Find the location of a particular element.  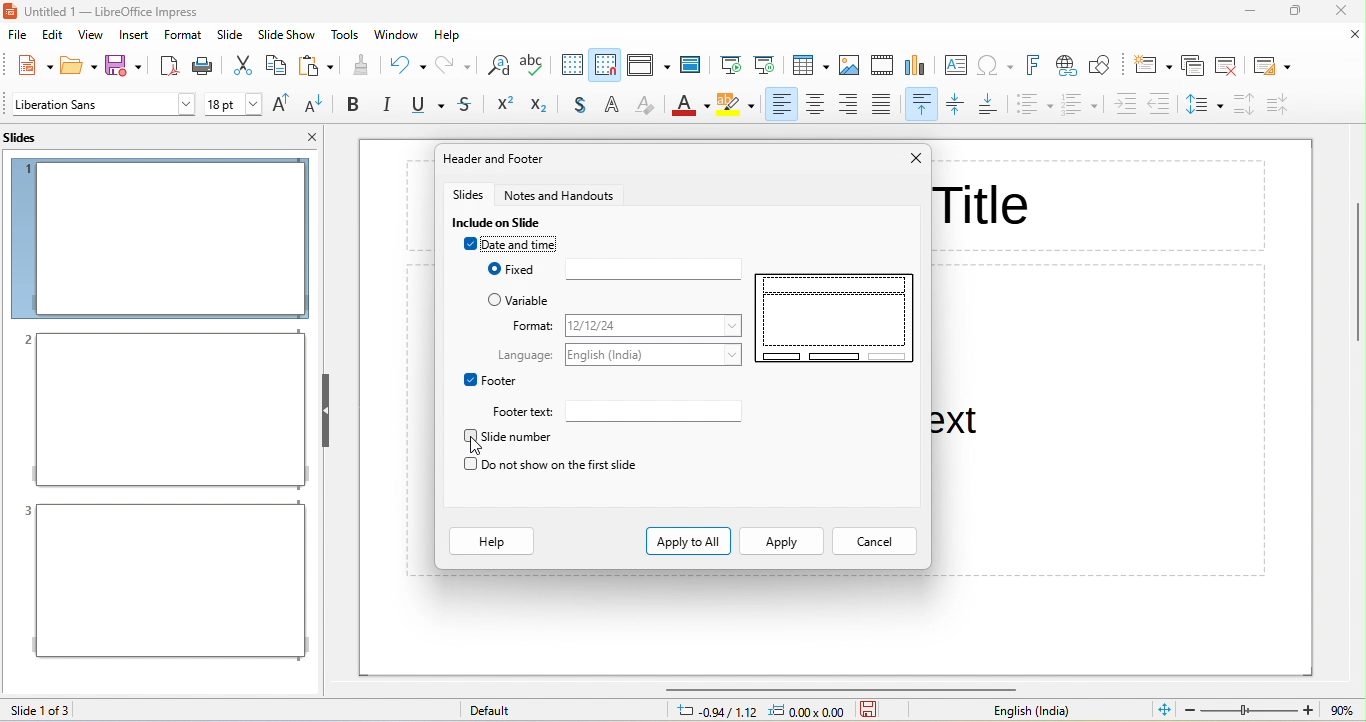

paste is located at coordinates (316, 65).